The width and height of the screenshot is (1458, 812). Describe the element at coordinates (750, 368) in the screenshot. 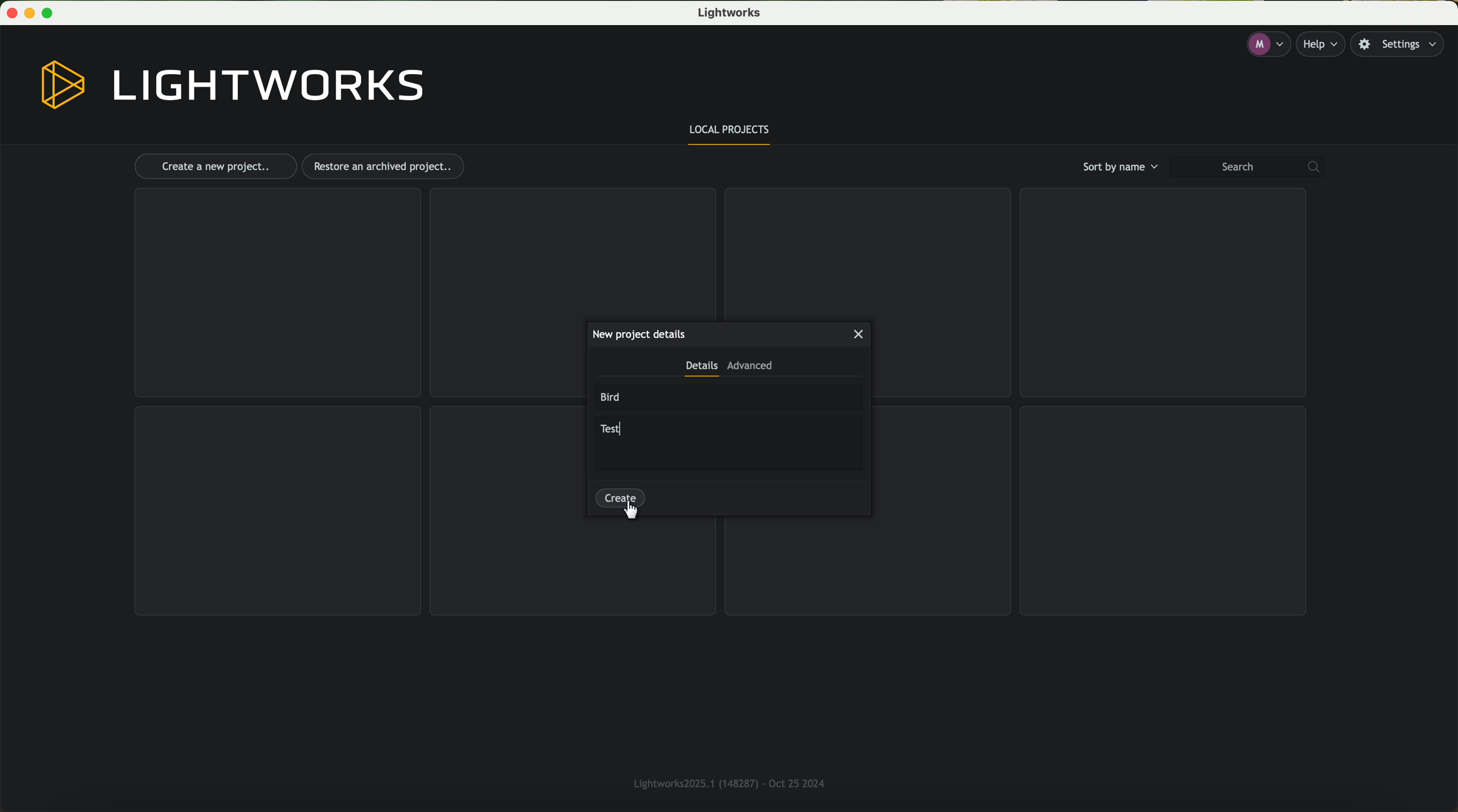

I see `advanced` at that location.